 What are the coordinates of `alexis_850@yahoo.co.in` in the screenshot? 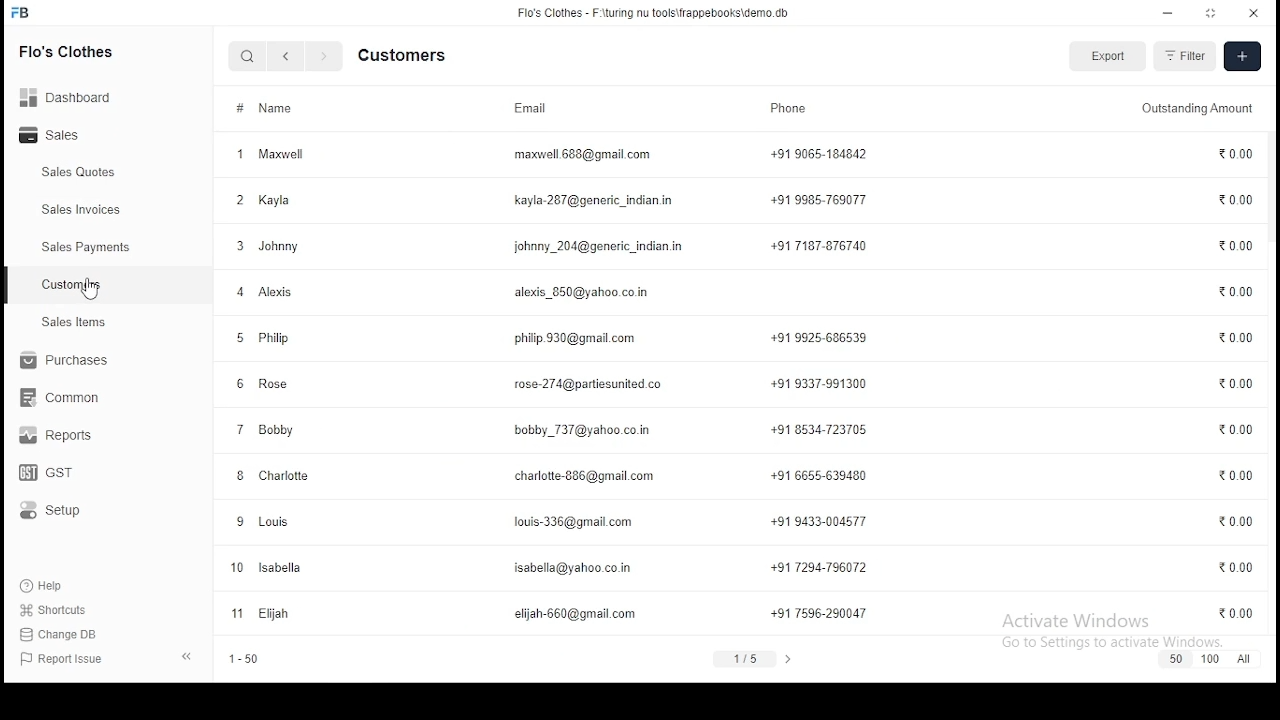 It's located at (582, 293).